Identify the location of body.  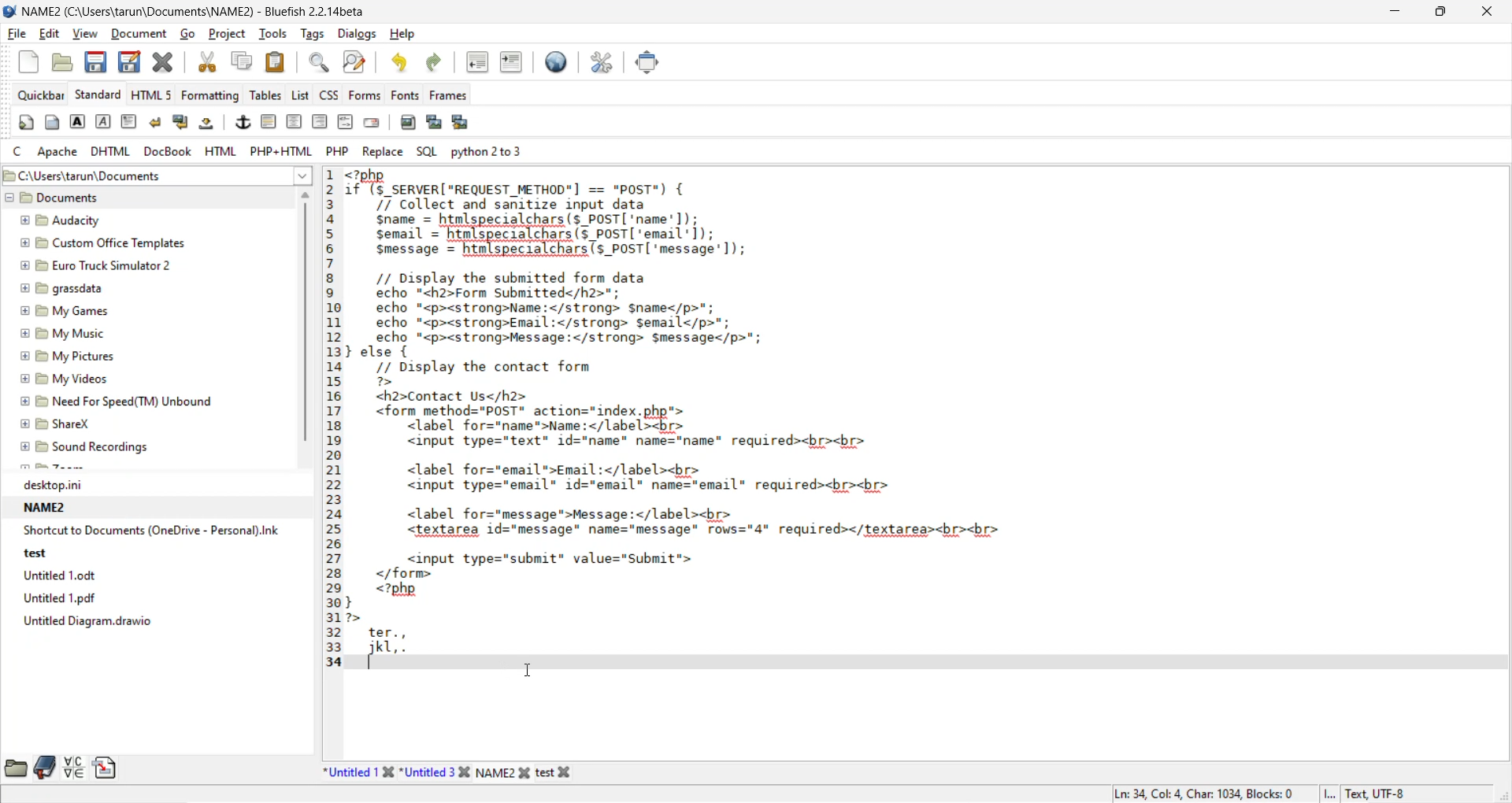
(50, 122).